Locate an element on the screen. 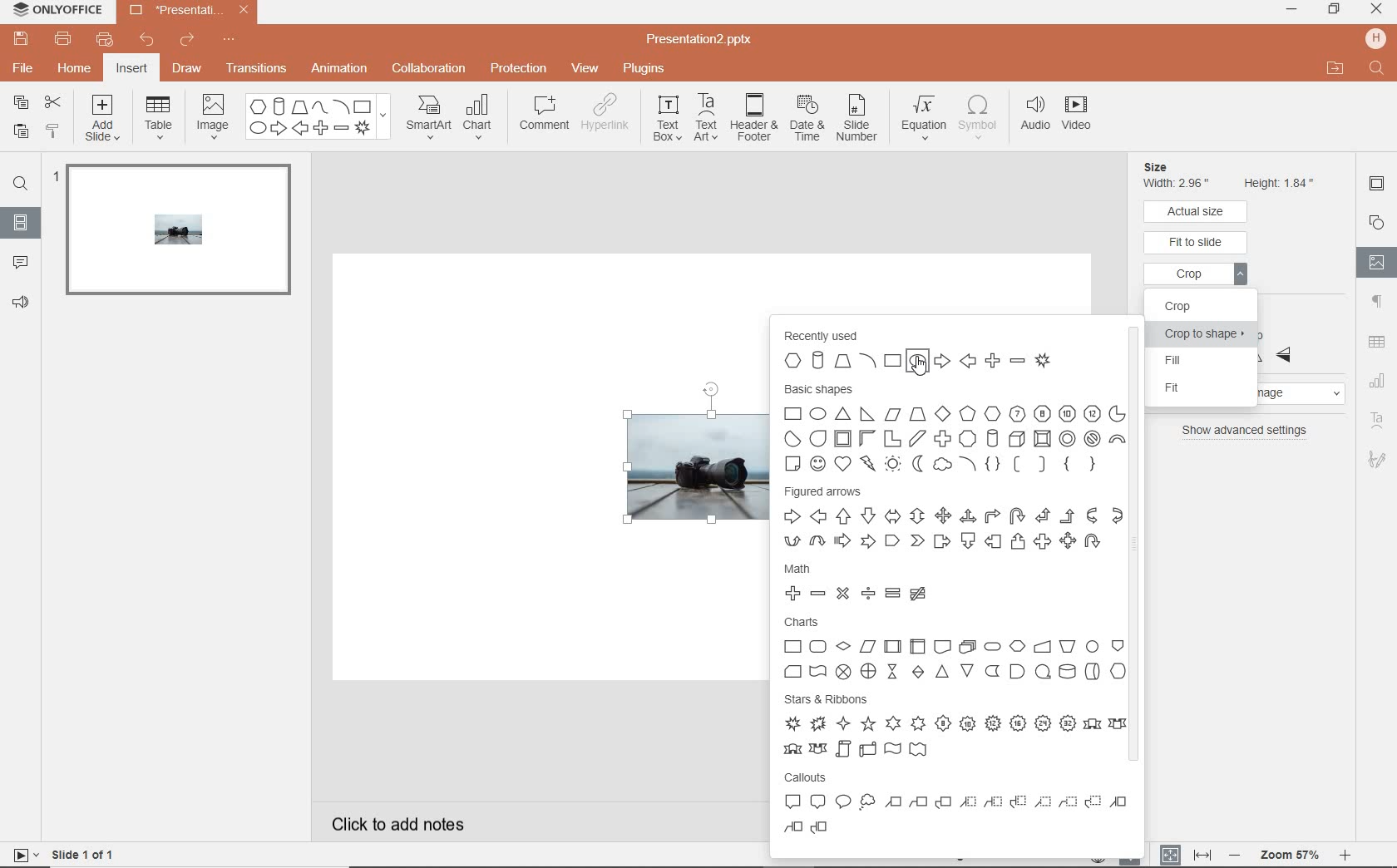  spell check is located at coordinates (1132, 860).